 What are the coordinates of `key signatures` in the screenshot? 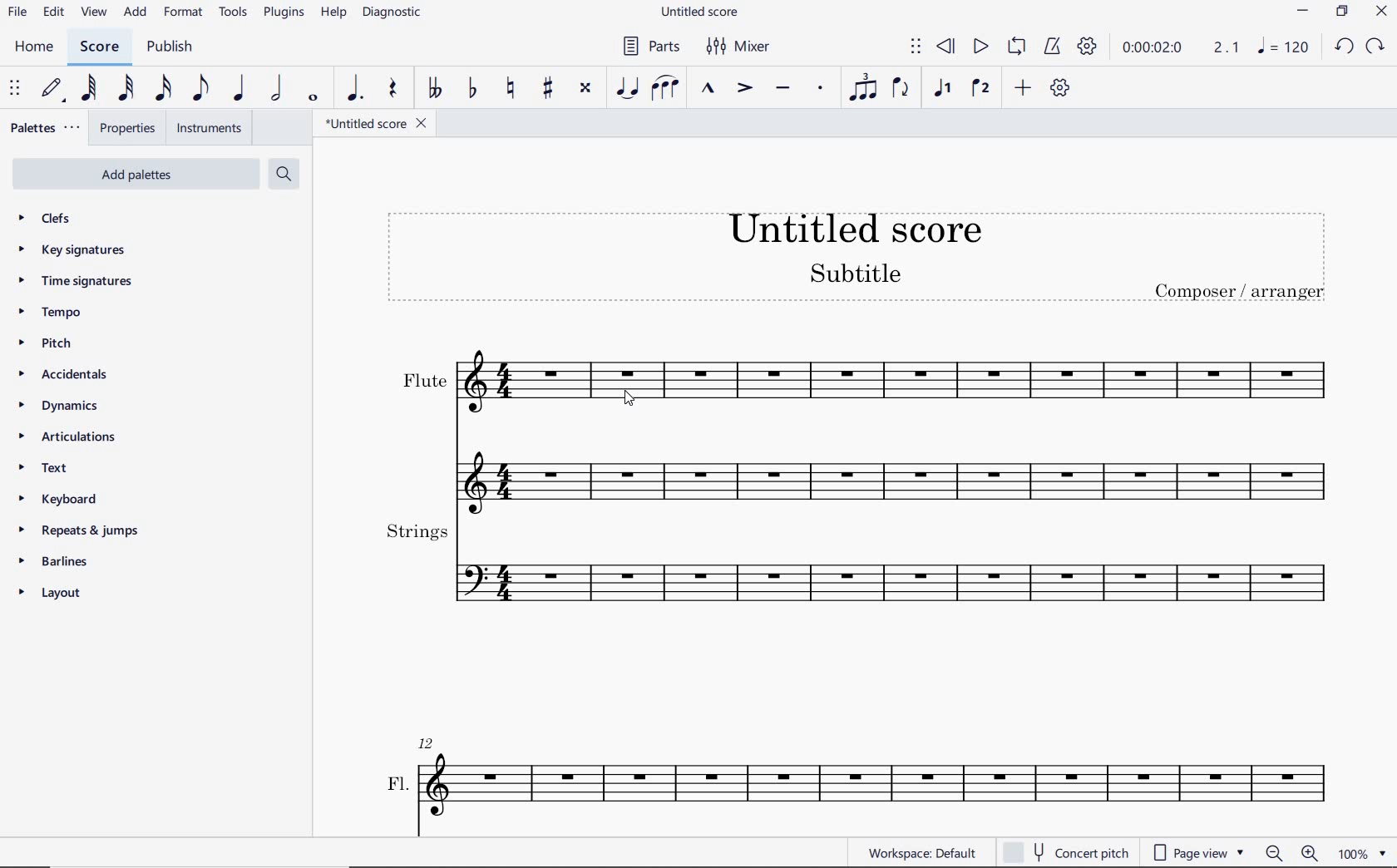 It's located at (79, 252).